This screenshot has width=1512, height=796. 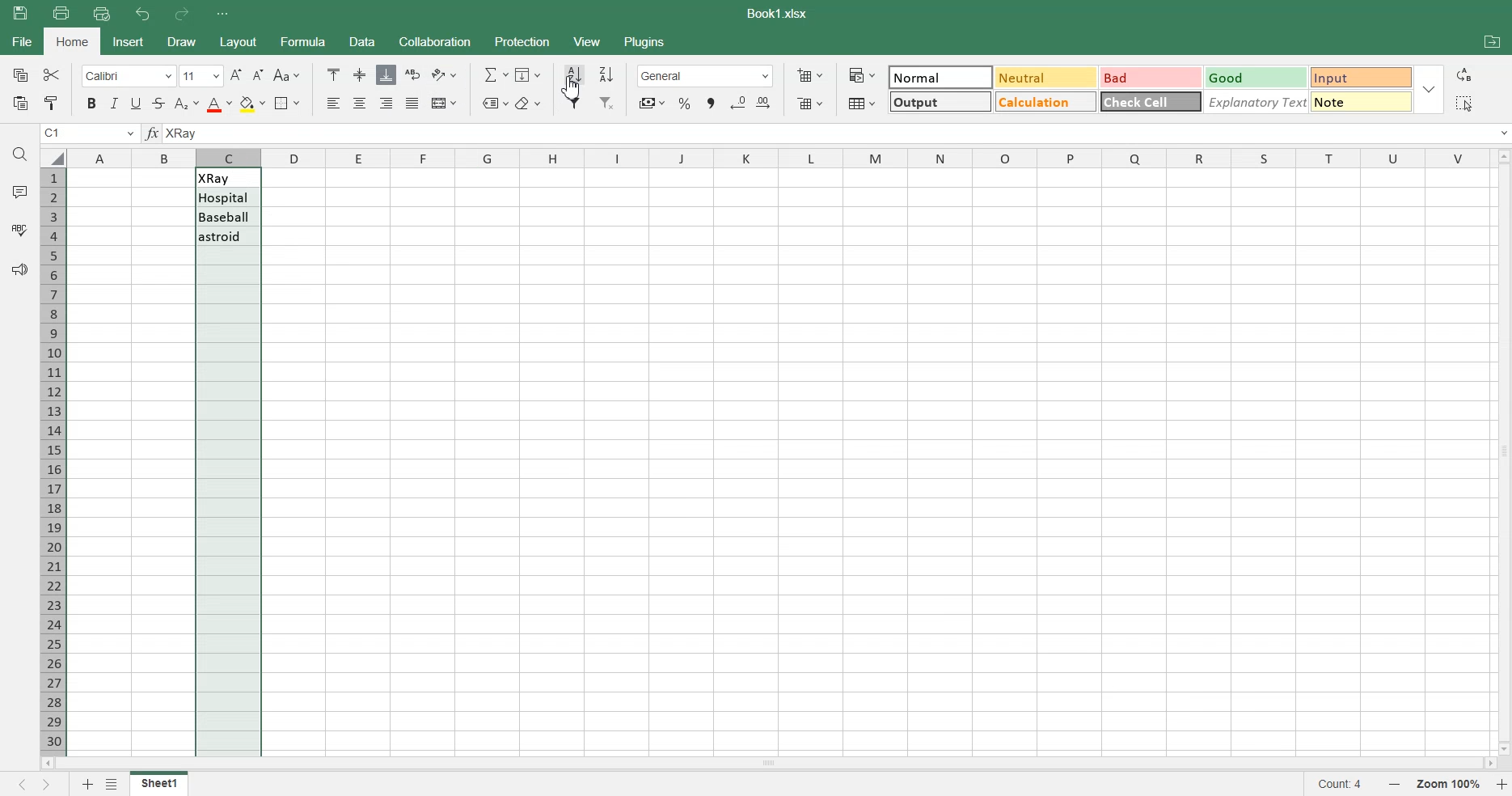 What do you see at coordinates (154, 133) in the screenshot?
I see `Formula` at bounding box center [154, 133].